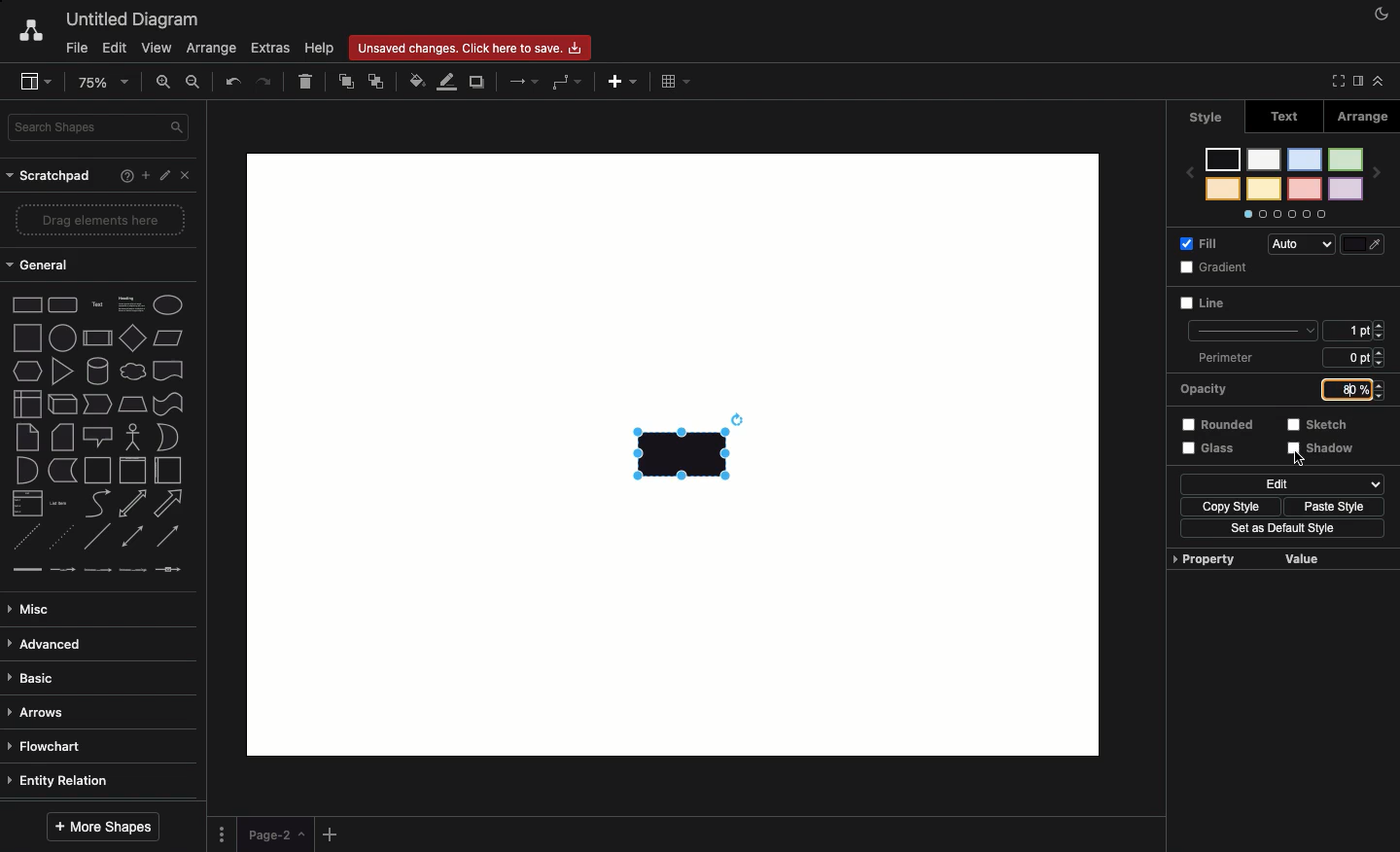  What do you see at coordinates (1380, 13) in the screenshot?
I see `Night mode` at bounding box center [1380, 13].